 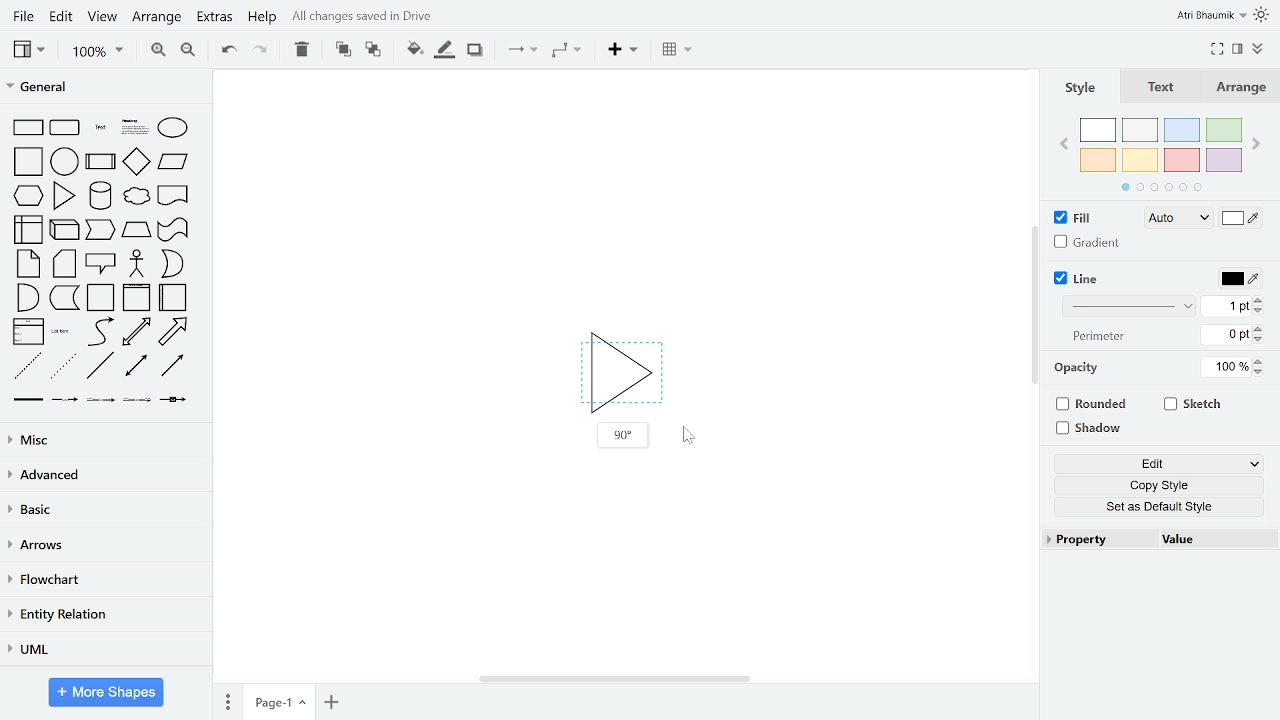 What do you see at coordinates (1099, 130) in the screenshot?
I see `white` at bounding box center [1099, 130].